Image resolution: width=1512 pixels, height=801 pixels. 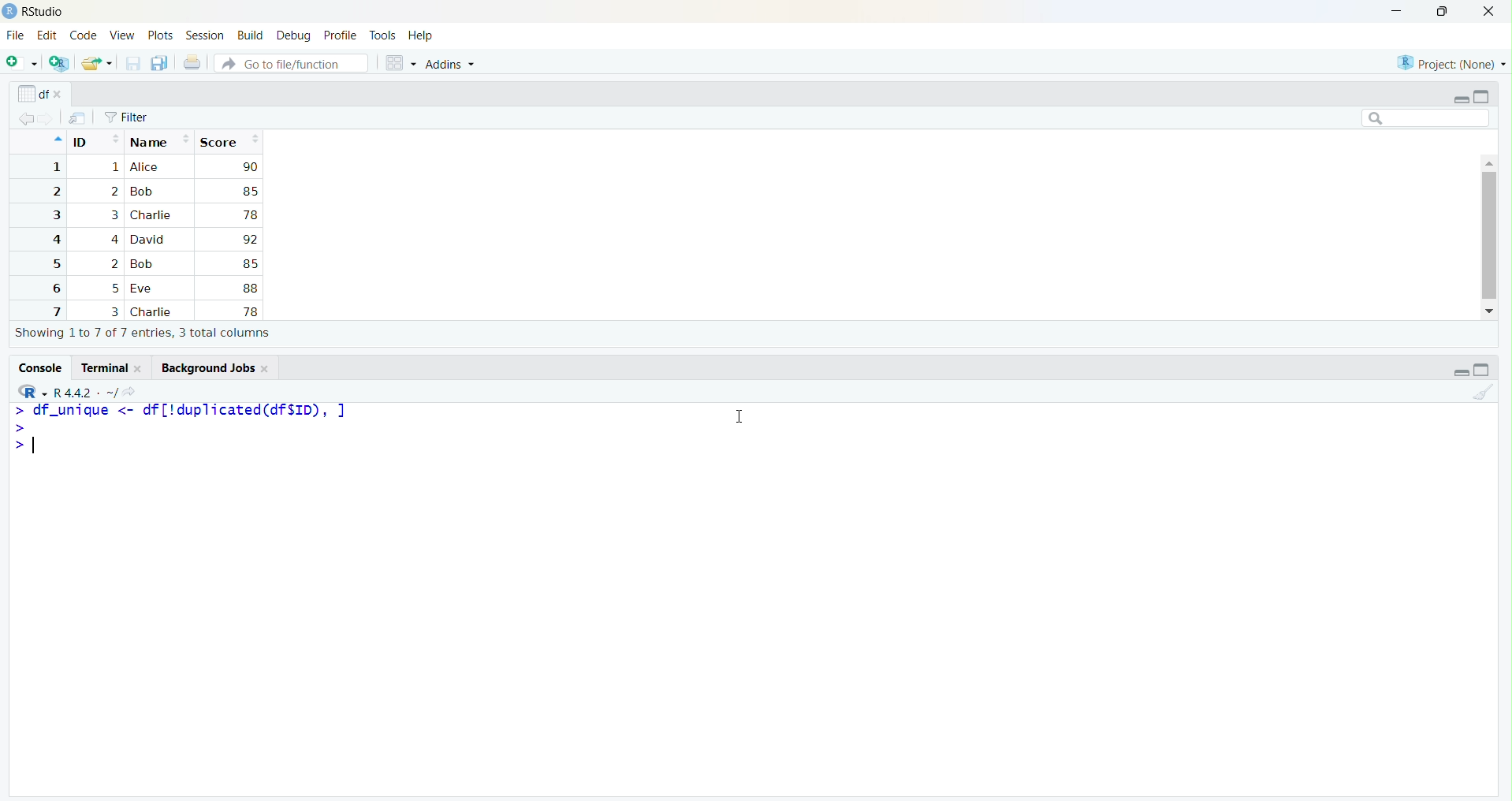 I want to click on minimize, so click(x=1396, y=13).